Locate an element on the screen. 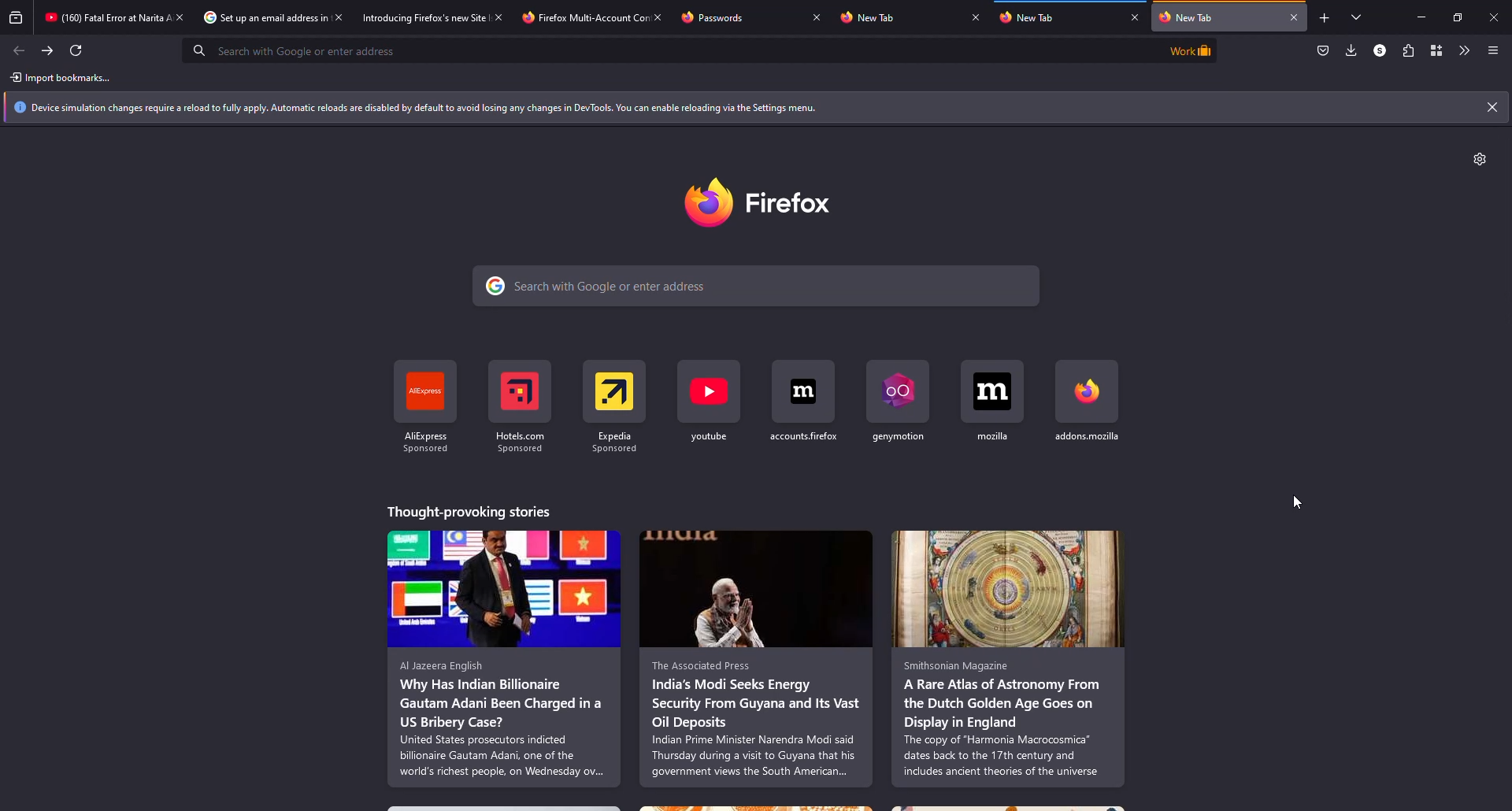  work is located at coordinates (1188, 50).